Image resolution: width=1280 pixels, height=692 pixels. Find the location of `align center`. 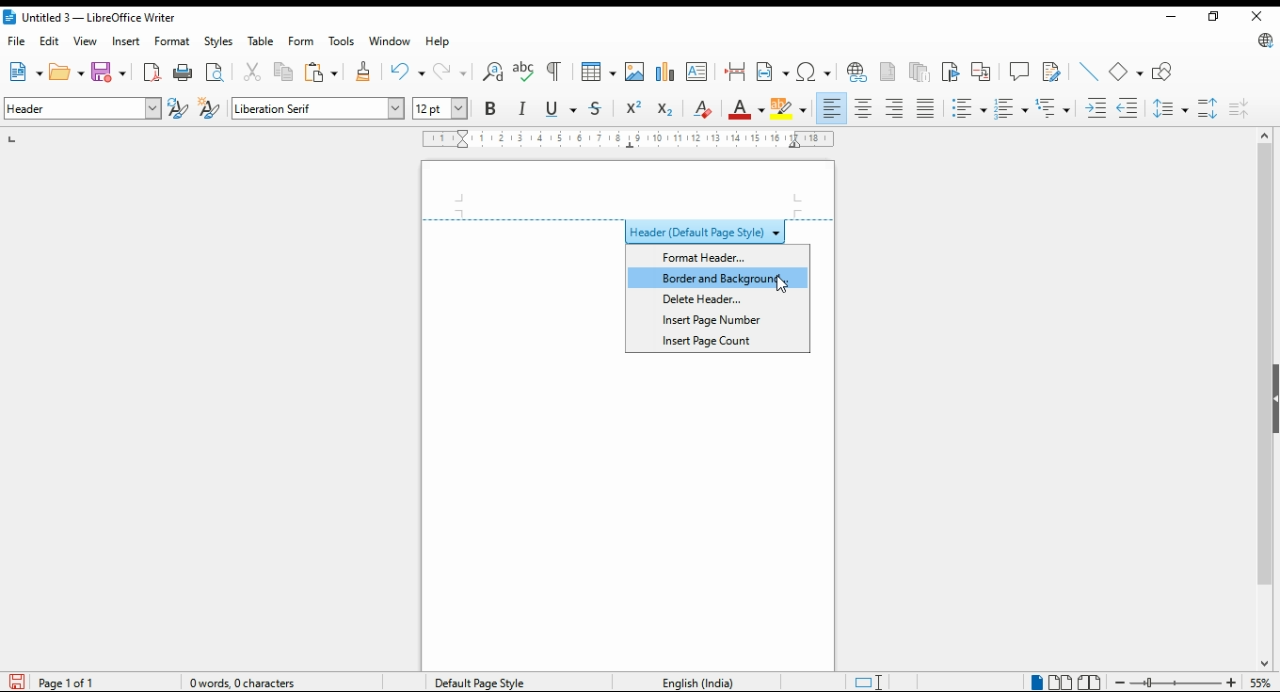

align center is located at coordinates (865, 108).